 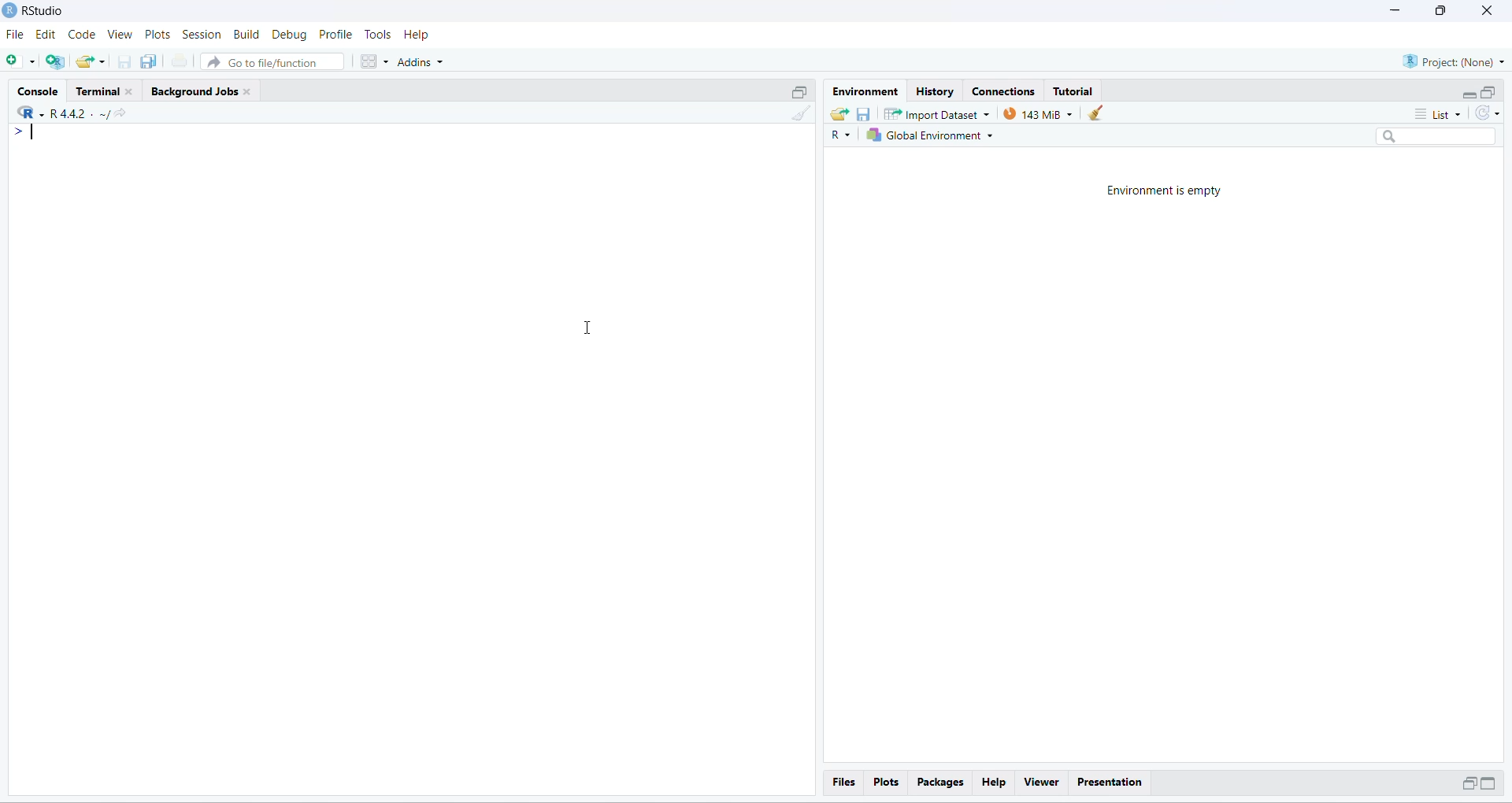 What do you see at coordinates (887, 783) in the screenshot?
I see `plots` at bounding box center [887, 783].